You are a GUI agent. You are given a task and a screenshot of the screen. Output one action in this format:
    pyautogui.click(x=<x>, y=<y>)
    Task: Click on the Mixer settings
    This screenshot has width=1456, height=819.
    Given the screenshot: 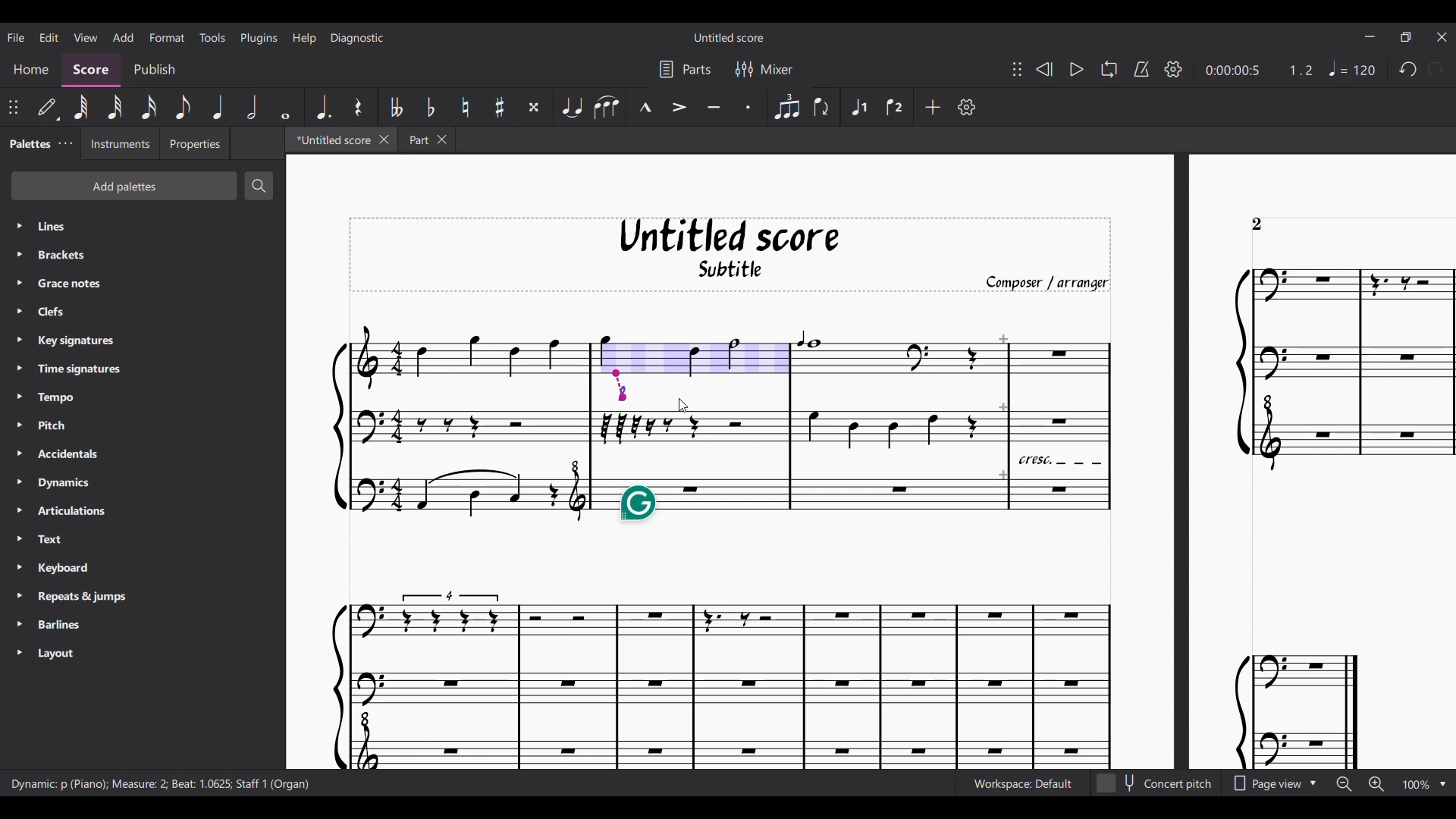 What is the action you would take?
    pyautogui.click(x=764, y=68)
    